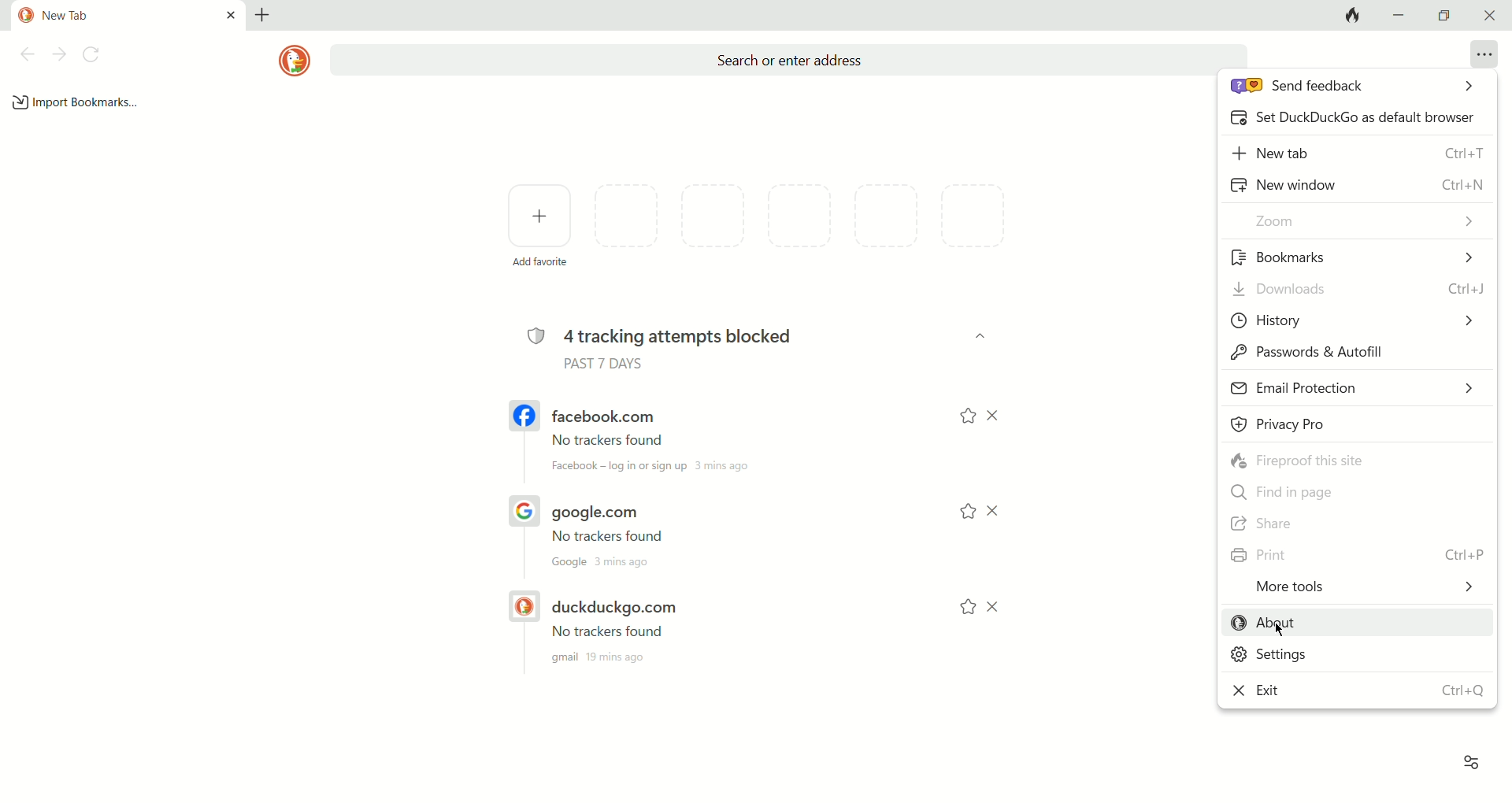 This screenshot has width=1512, height=803. Describe the element at coordinates (1490, 14) in the screenshot. I see `close` at that location.